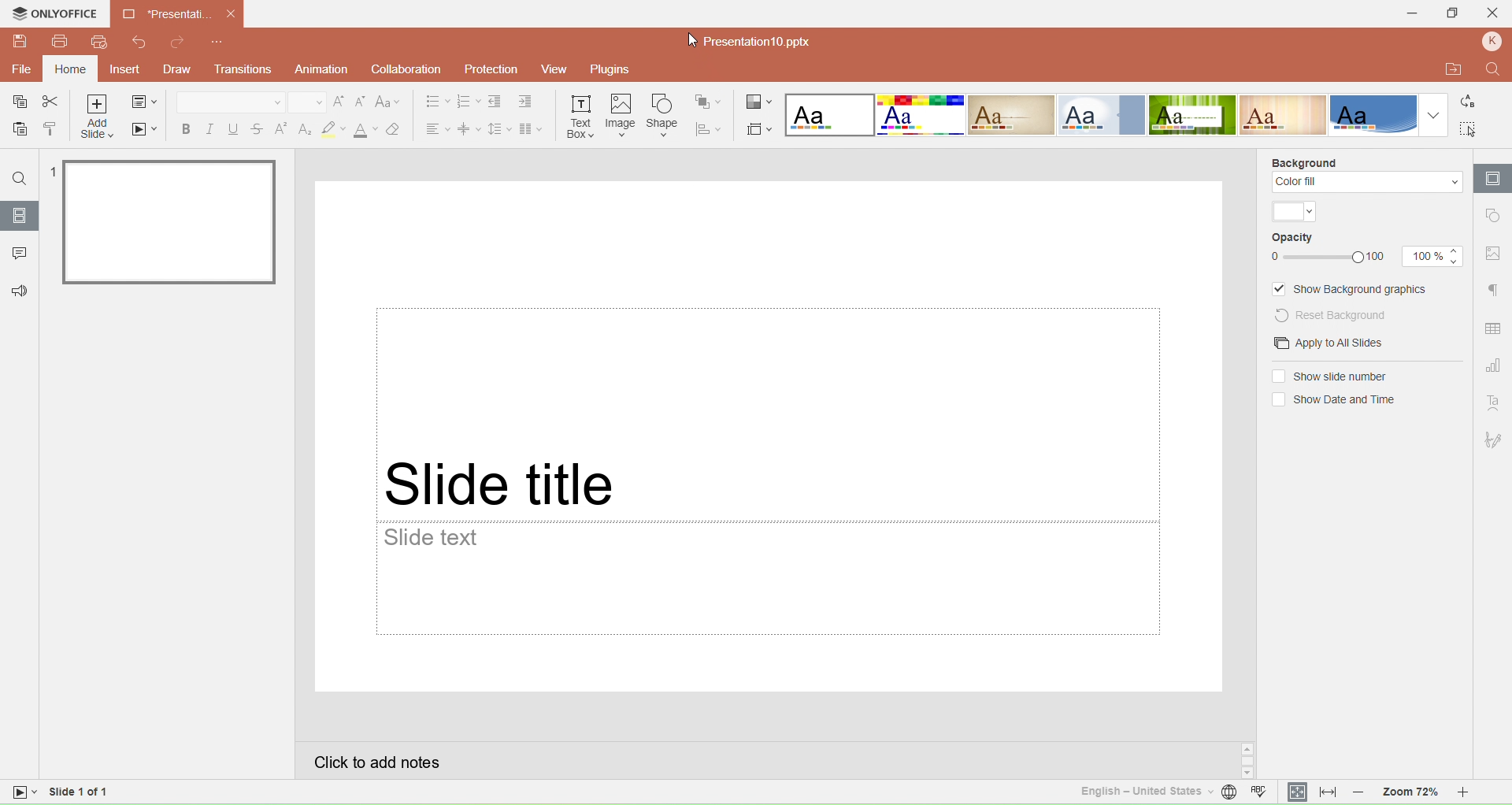  Describe the element at coordinates (143, 43) in the screenshot. I see `Undo` at that location.